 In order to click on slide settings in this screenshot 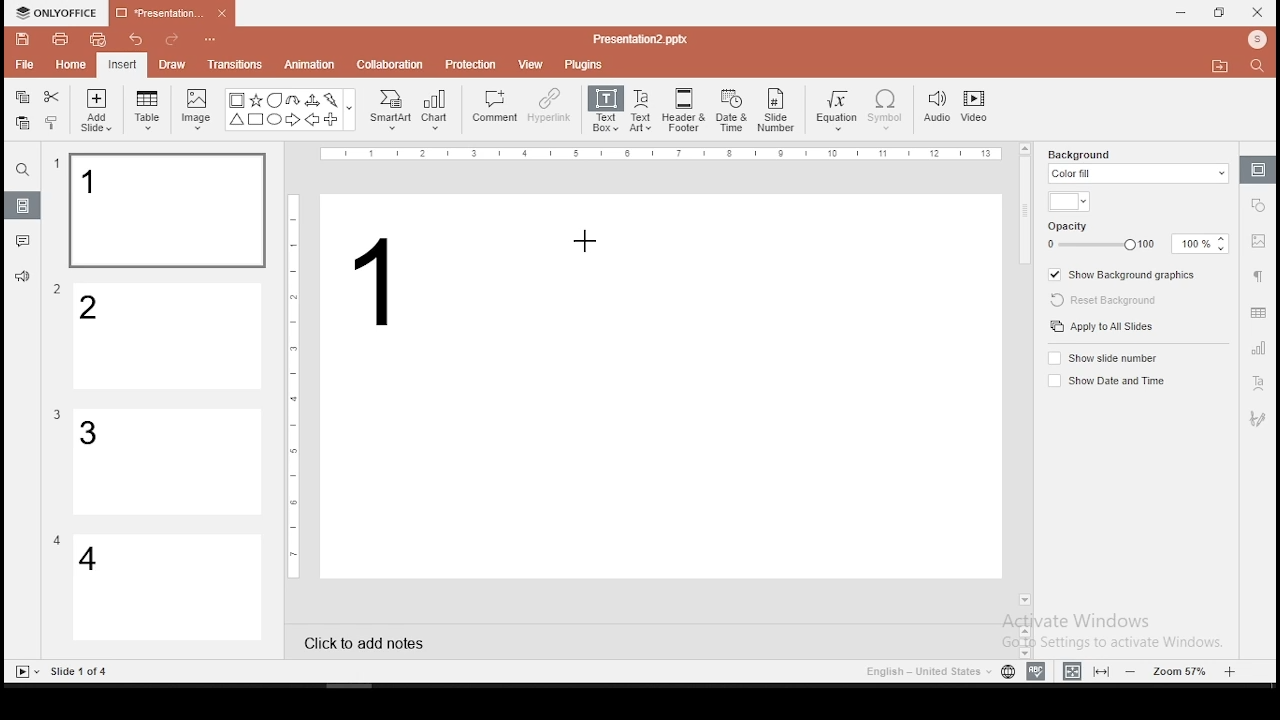, I will do `click(1258, 169)`.